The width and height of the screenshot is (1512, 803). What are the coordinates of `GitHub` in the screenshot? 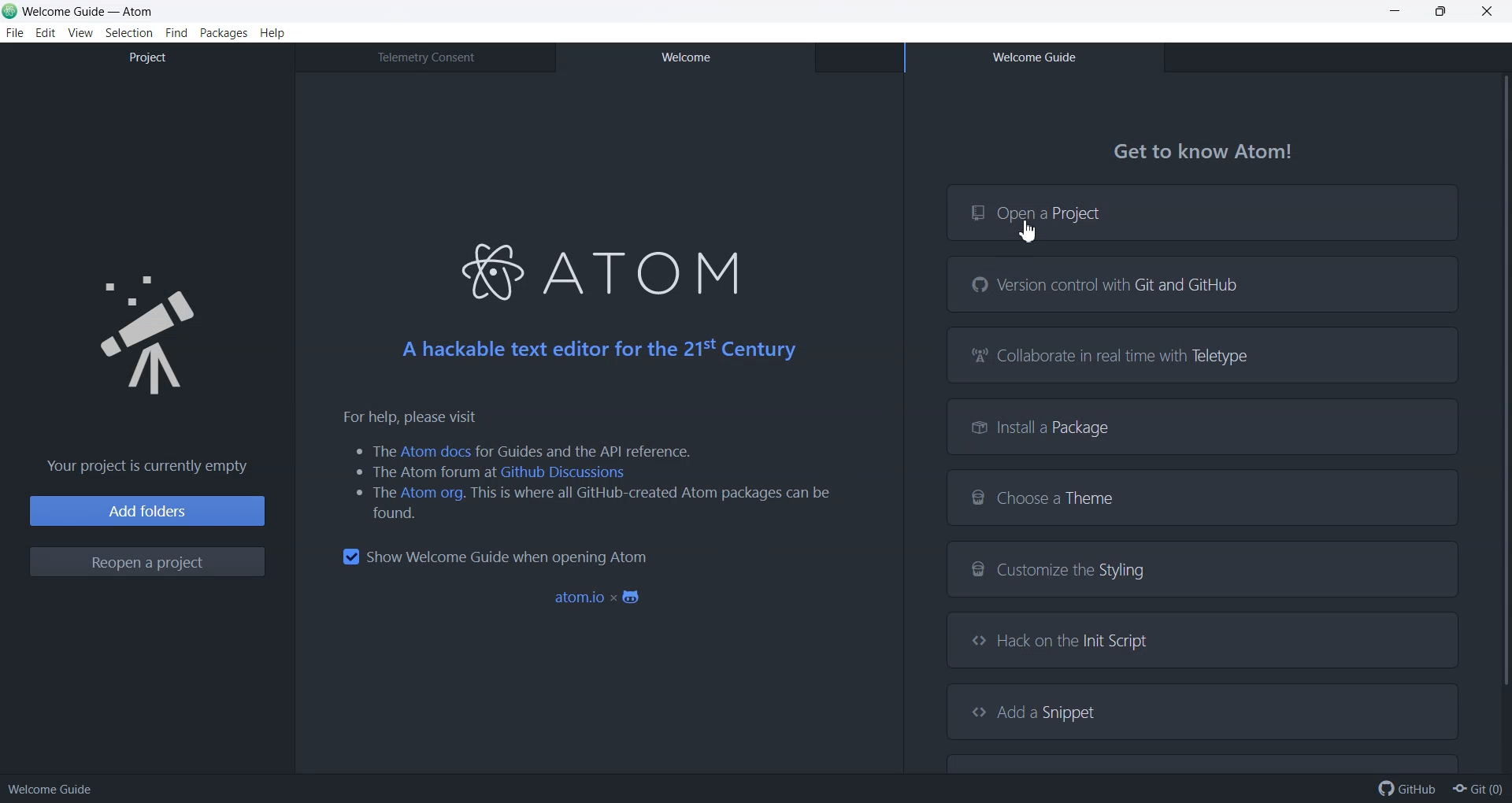 It's located at (1407, 789).